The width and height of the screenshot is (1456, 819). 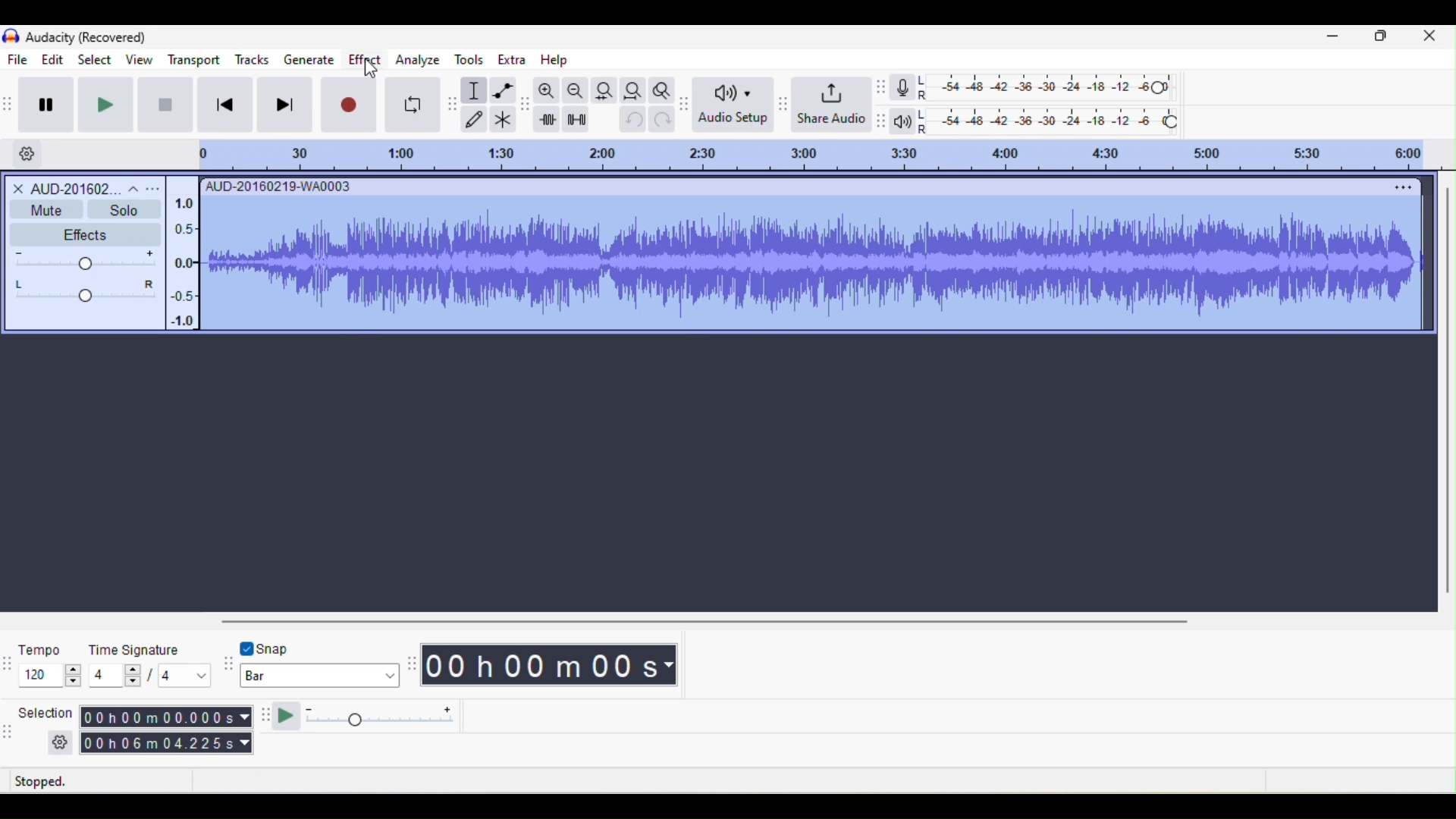 What do you see at coordinates (884, 119) in the screenshot?
I see `audacity playback meter toolbar` at bounding box center [884, 119].